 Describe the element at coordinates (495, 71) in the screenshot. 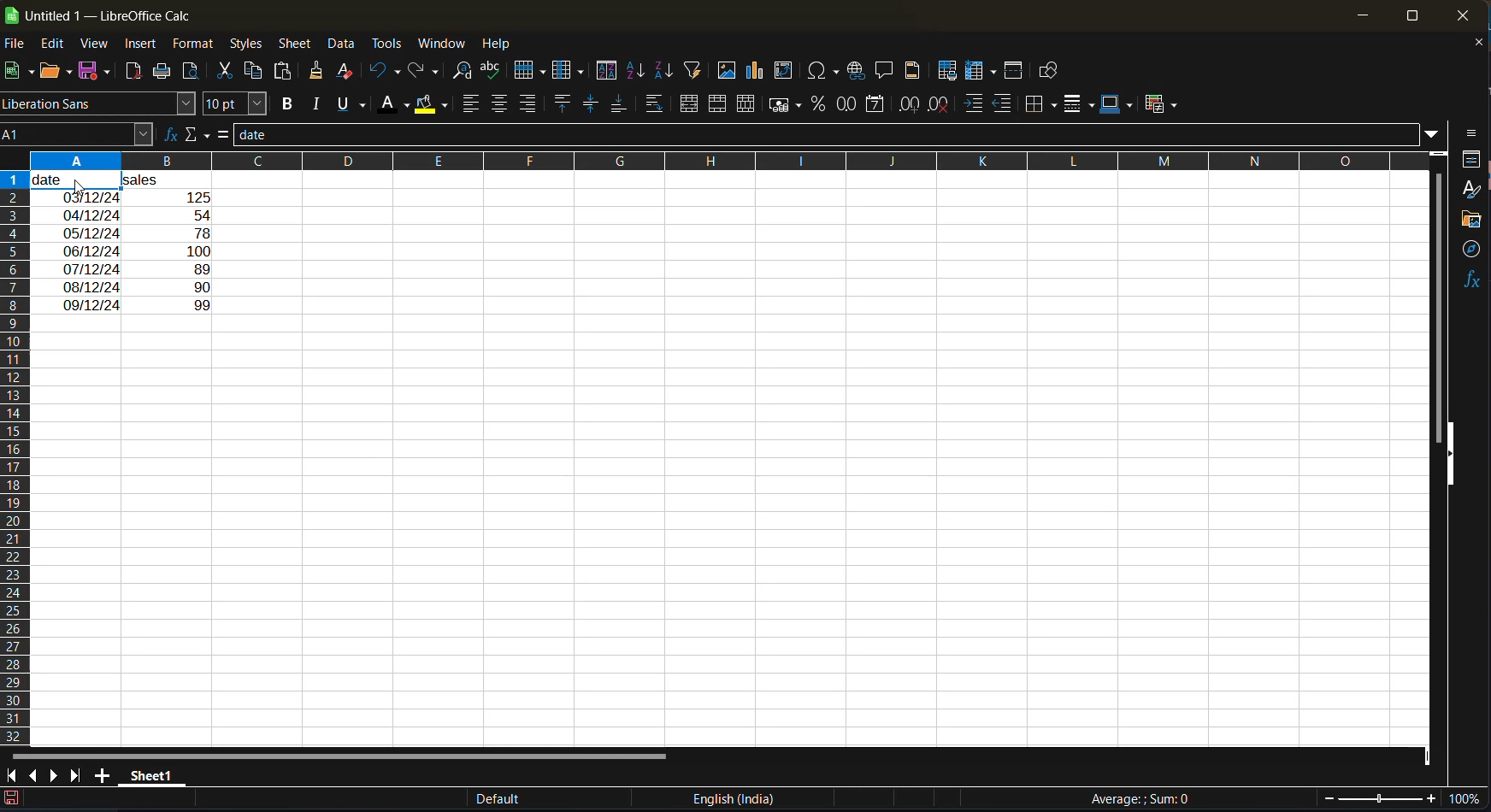

I see `spelling` at that location.